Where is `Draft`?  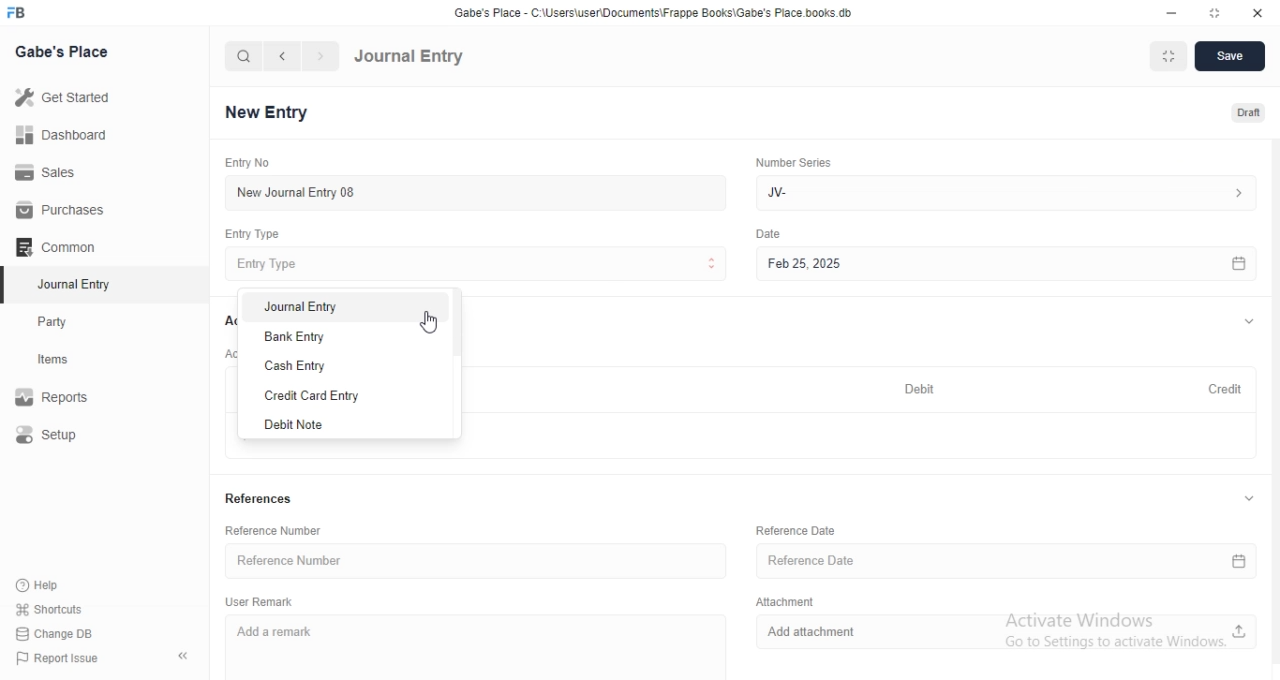 Draft is located at coordinates (1238, 111).